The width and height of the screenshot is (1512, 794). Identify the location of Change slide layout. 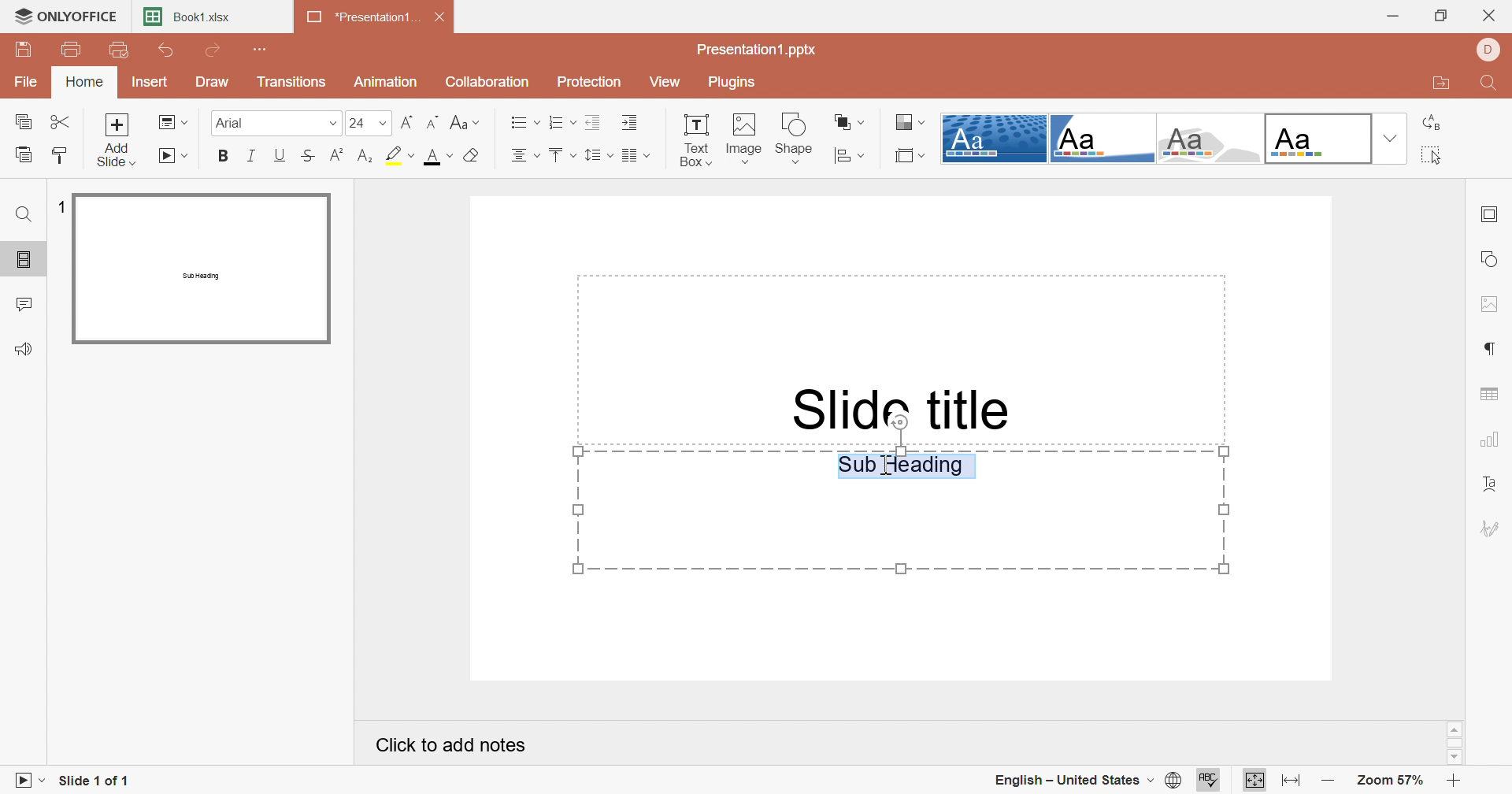
(171, 124).